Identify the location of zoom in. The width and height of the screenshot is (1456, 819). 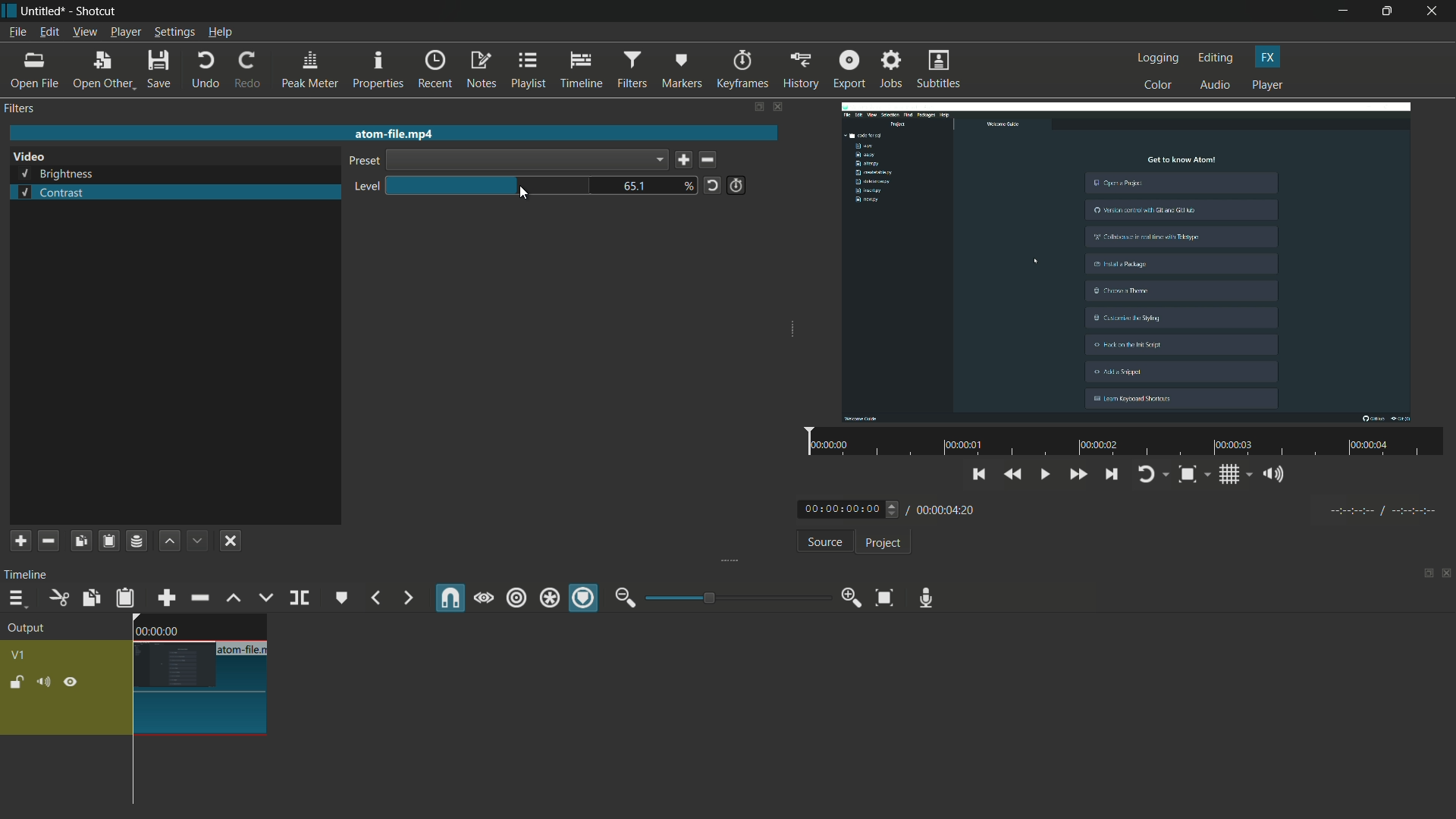
(848, 598).